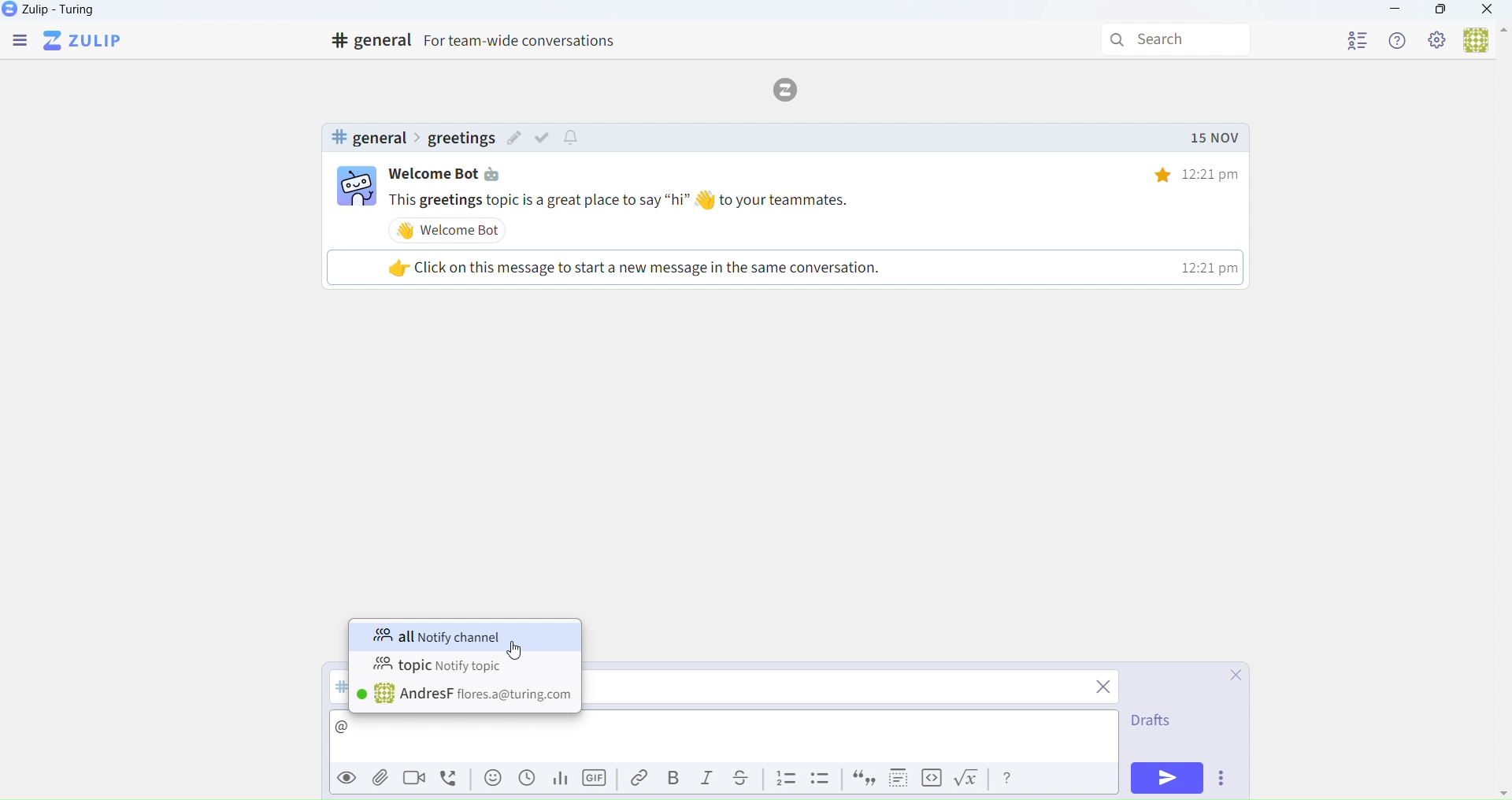 Image resolution: width=1512 pixels, height=800 pixels. Describe the element at coordinates (558, 780) in the screenshot. I see `Stats` at that location.